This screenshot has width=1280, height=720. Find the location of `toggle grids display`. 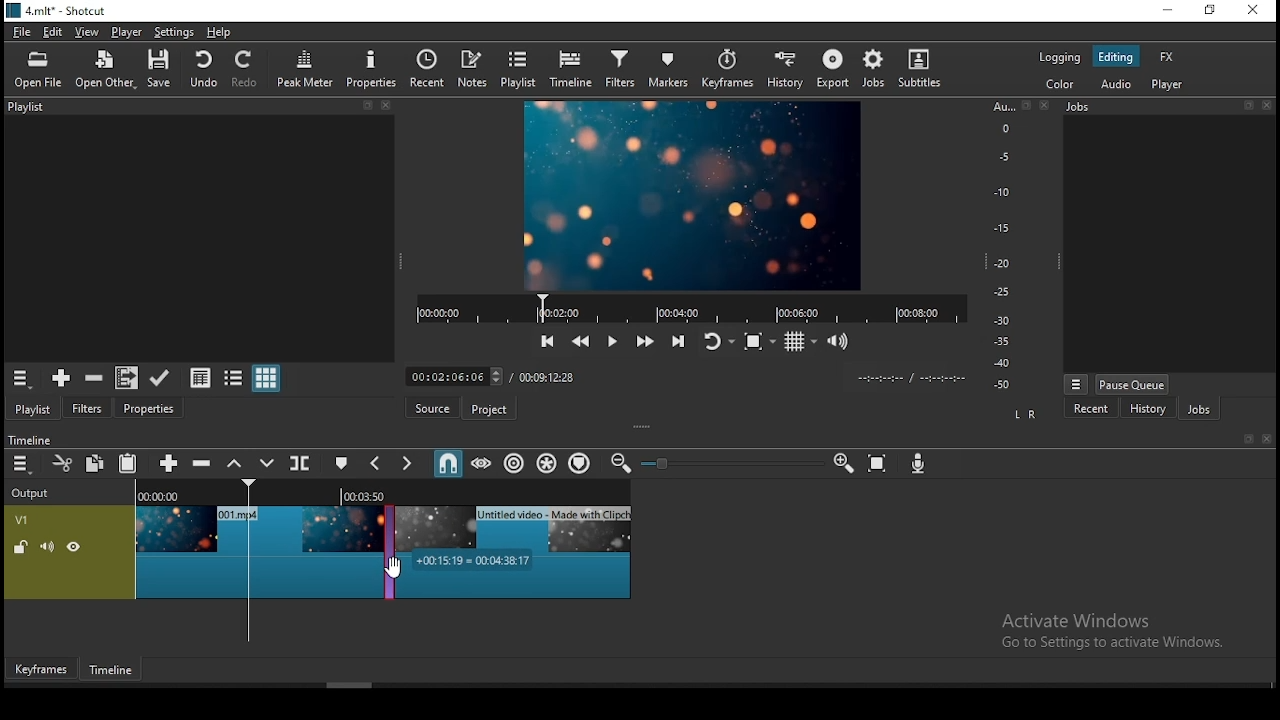

toggle grids display is located at coordinates (800, 342).